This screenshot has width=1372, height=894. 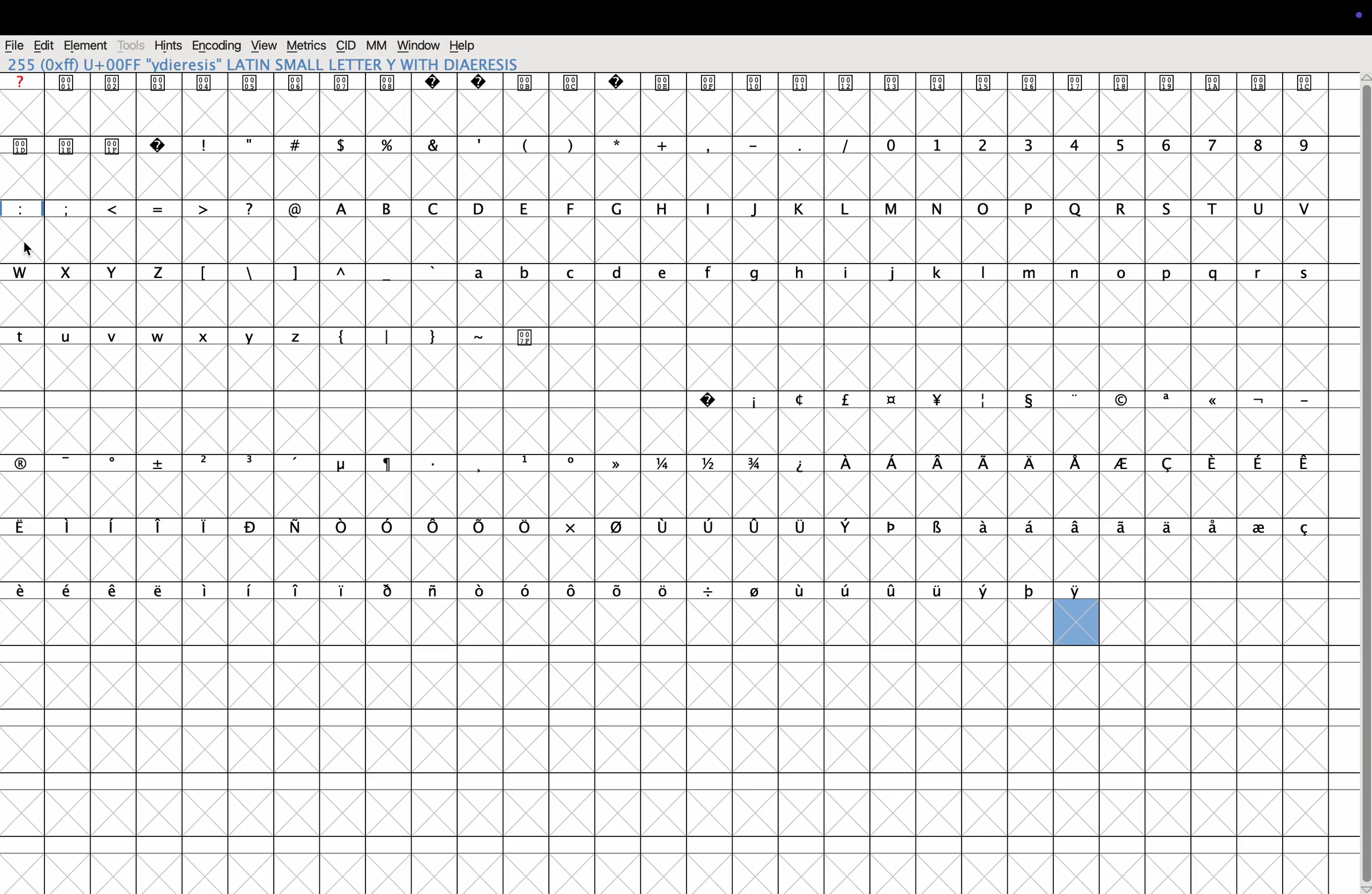 I want to click on cid, so click(x=346, y=46).